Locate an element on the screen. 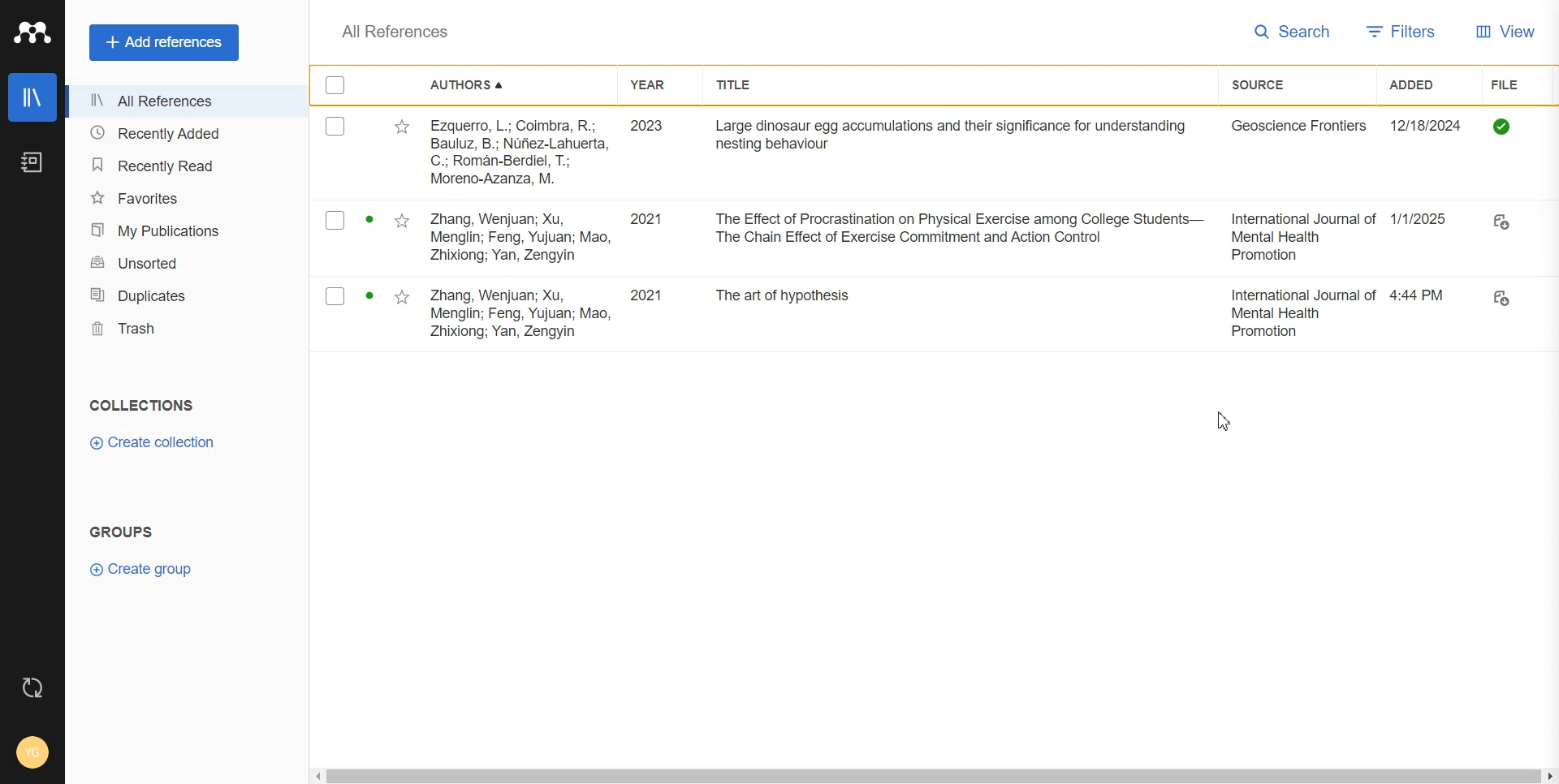 Image resolution: width=1559 pixels, height=784 pixels. Zhang Wenjuan; Xu Menglin; Feng is located at coordinates (521, 235).